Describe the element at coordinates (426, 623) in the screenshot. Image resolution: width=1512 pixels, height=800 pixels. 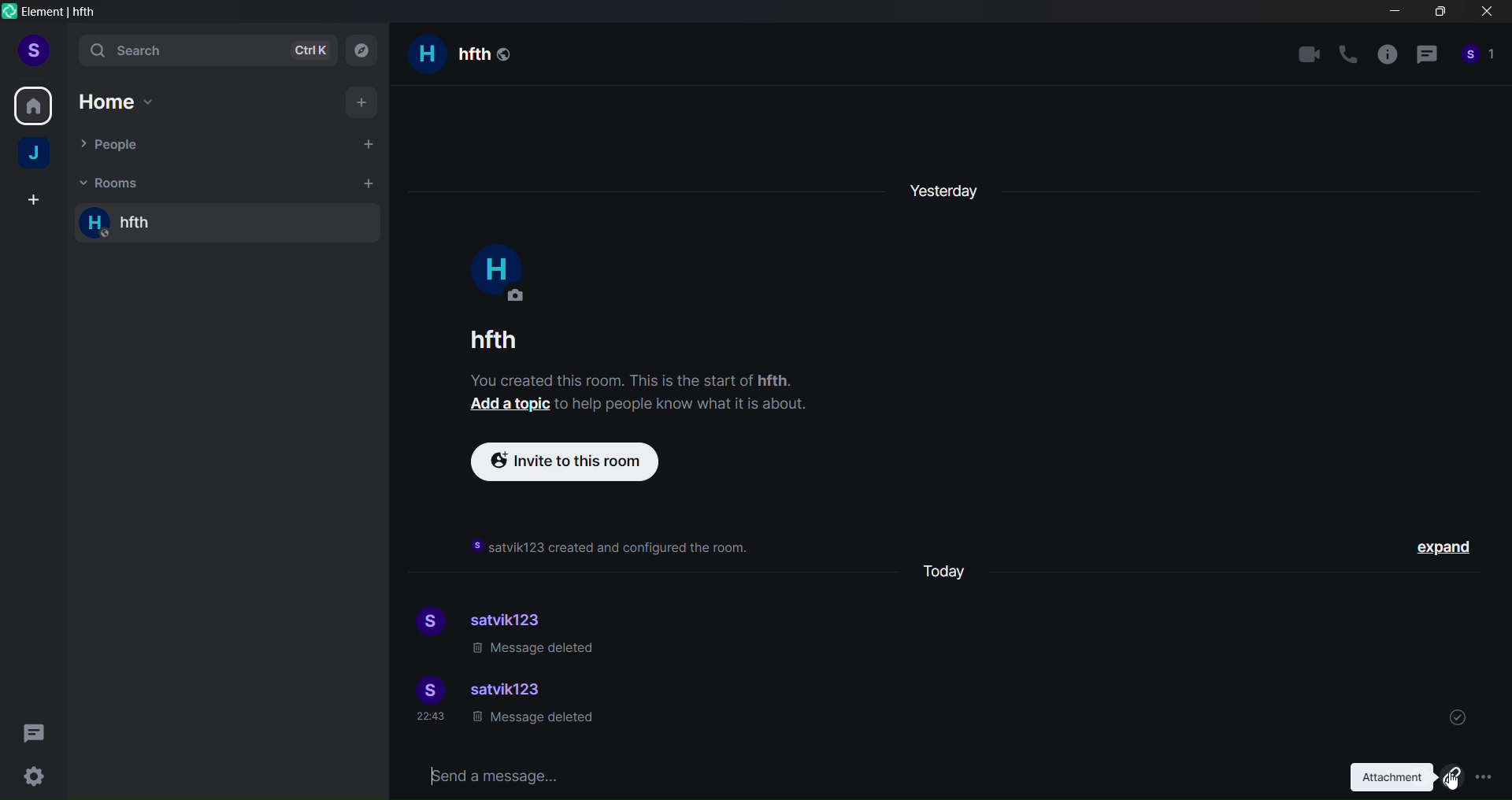
I see `display picture` at that location.